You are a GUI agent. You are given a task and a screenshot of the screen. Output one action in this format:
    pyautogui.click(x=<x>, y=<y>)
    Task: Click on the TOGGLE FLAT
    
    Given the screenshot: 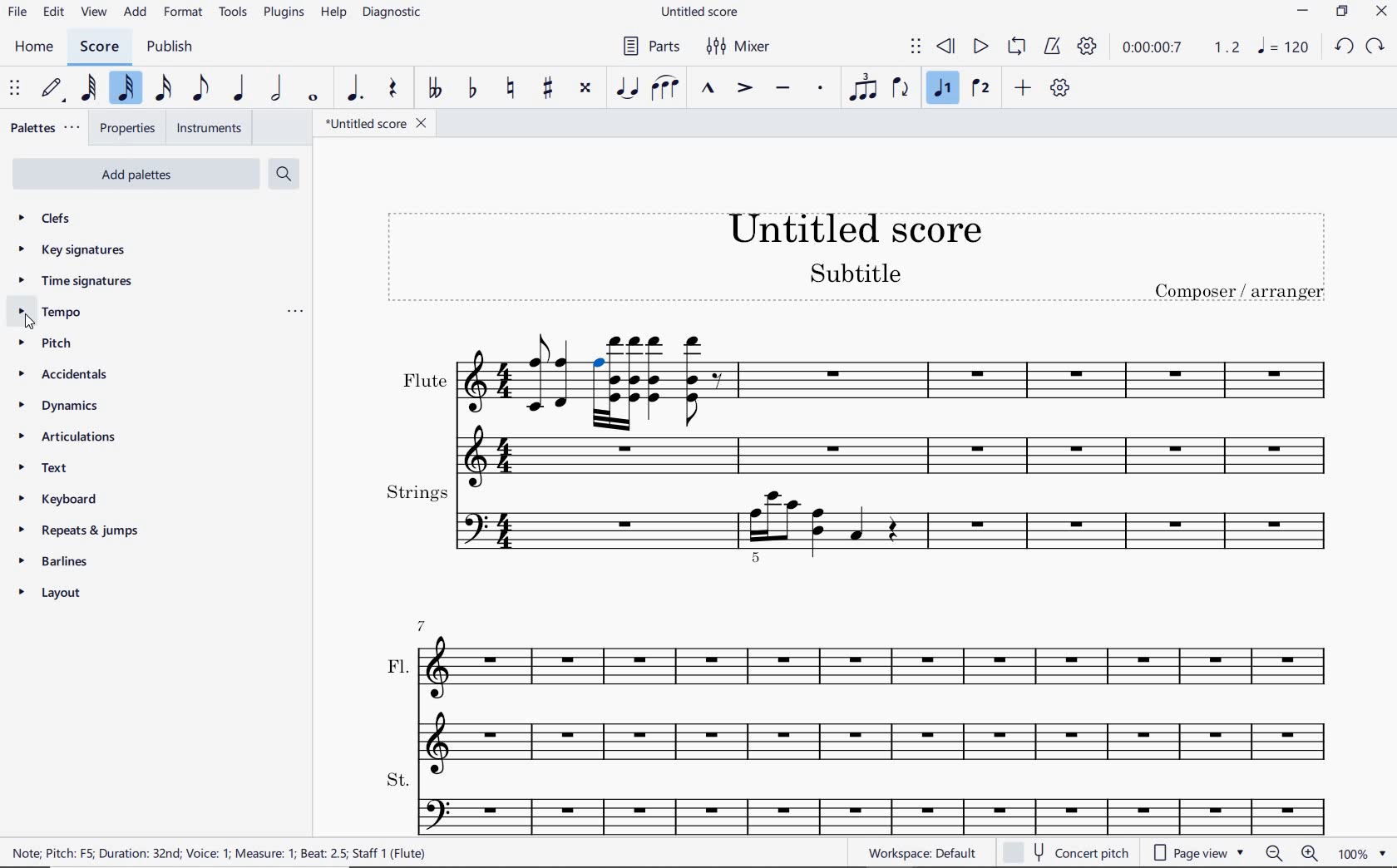 What is the action you would take?
    pyautogui.click(x=472, y=89)
    